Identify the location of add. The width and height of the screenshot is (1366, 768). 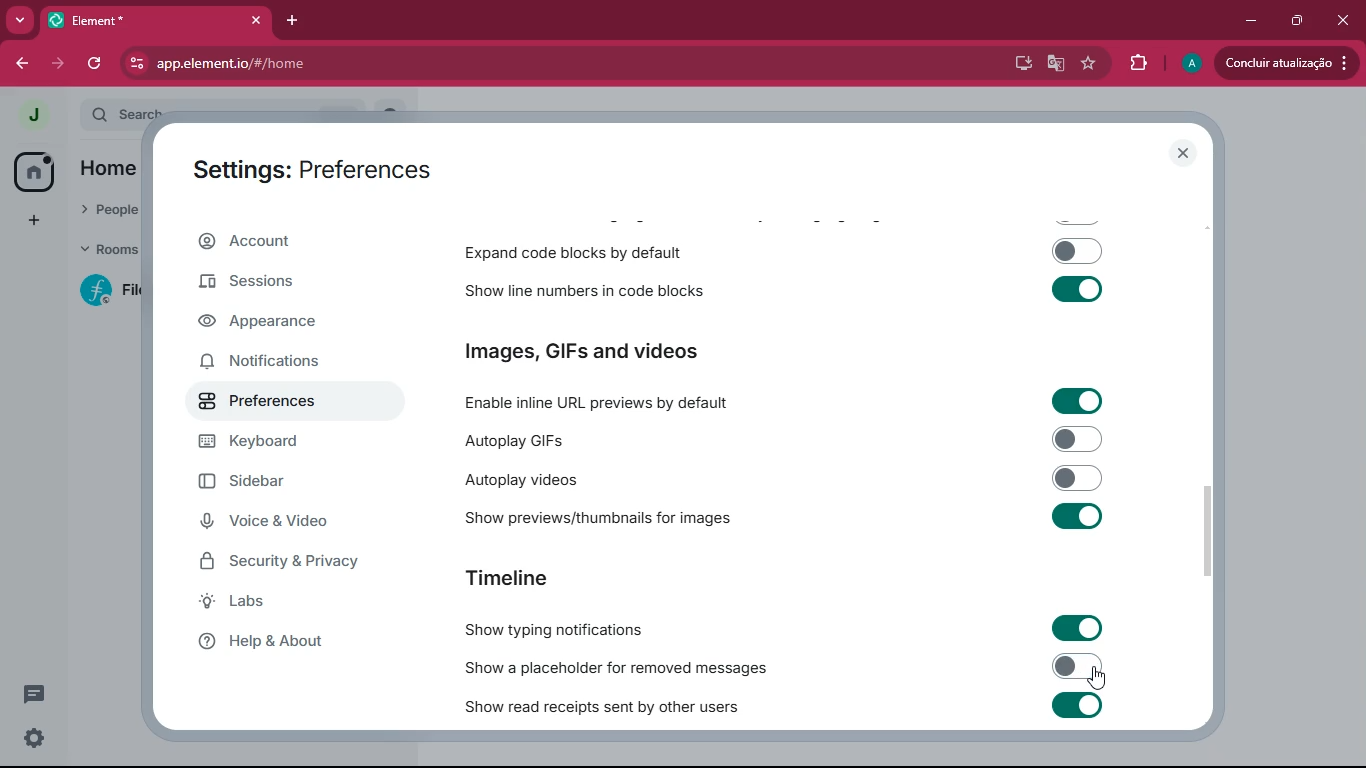
(31, 222).